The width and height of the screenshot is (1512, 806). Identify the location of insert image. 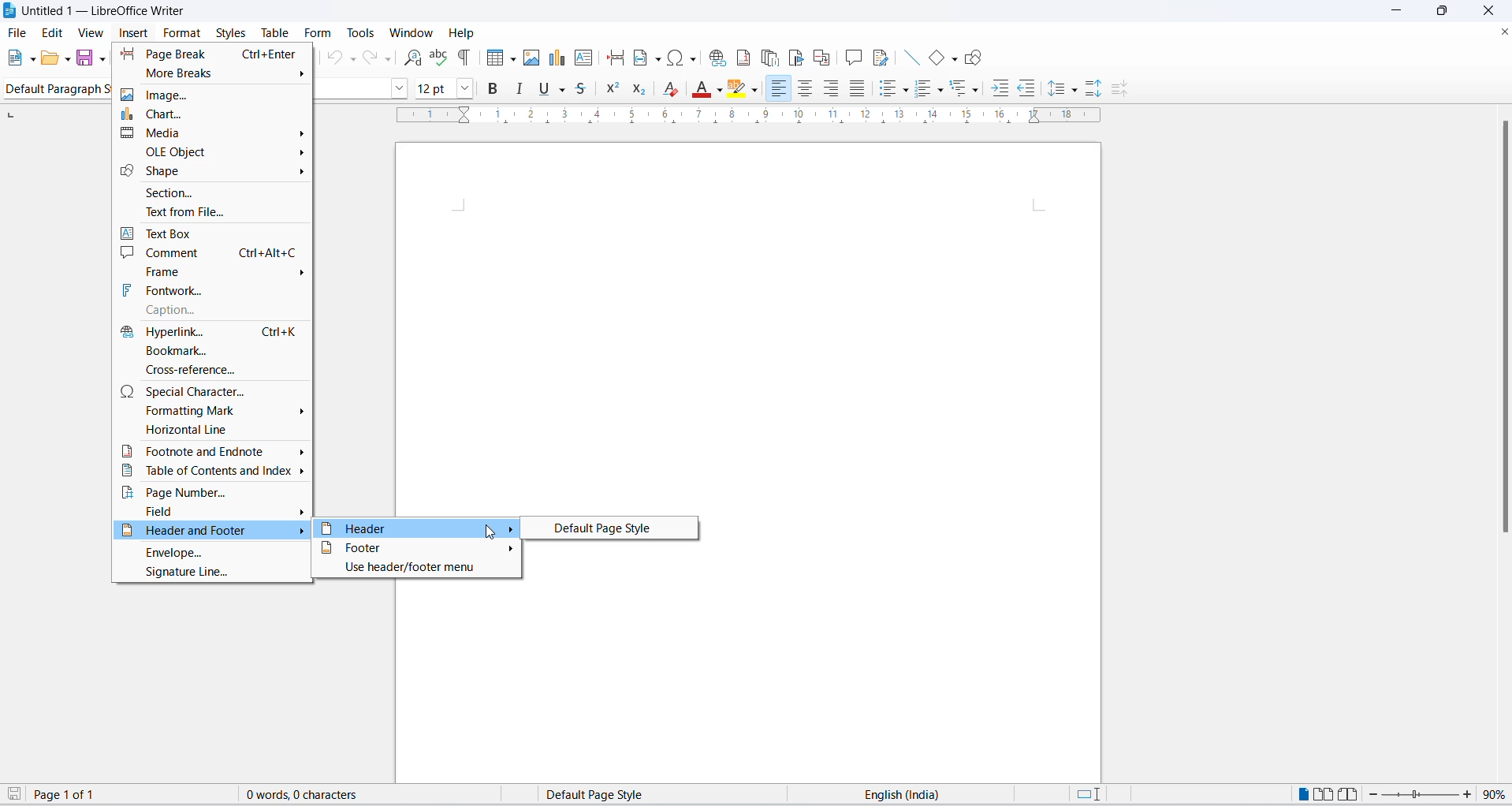
(533, 59).